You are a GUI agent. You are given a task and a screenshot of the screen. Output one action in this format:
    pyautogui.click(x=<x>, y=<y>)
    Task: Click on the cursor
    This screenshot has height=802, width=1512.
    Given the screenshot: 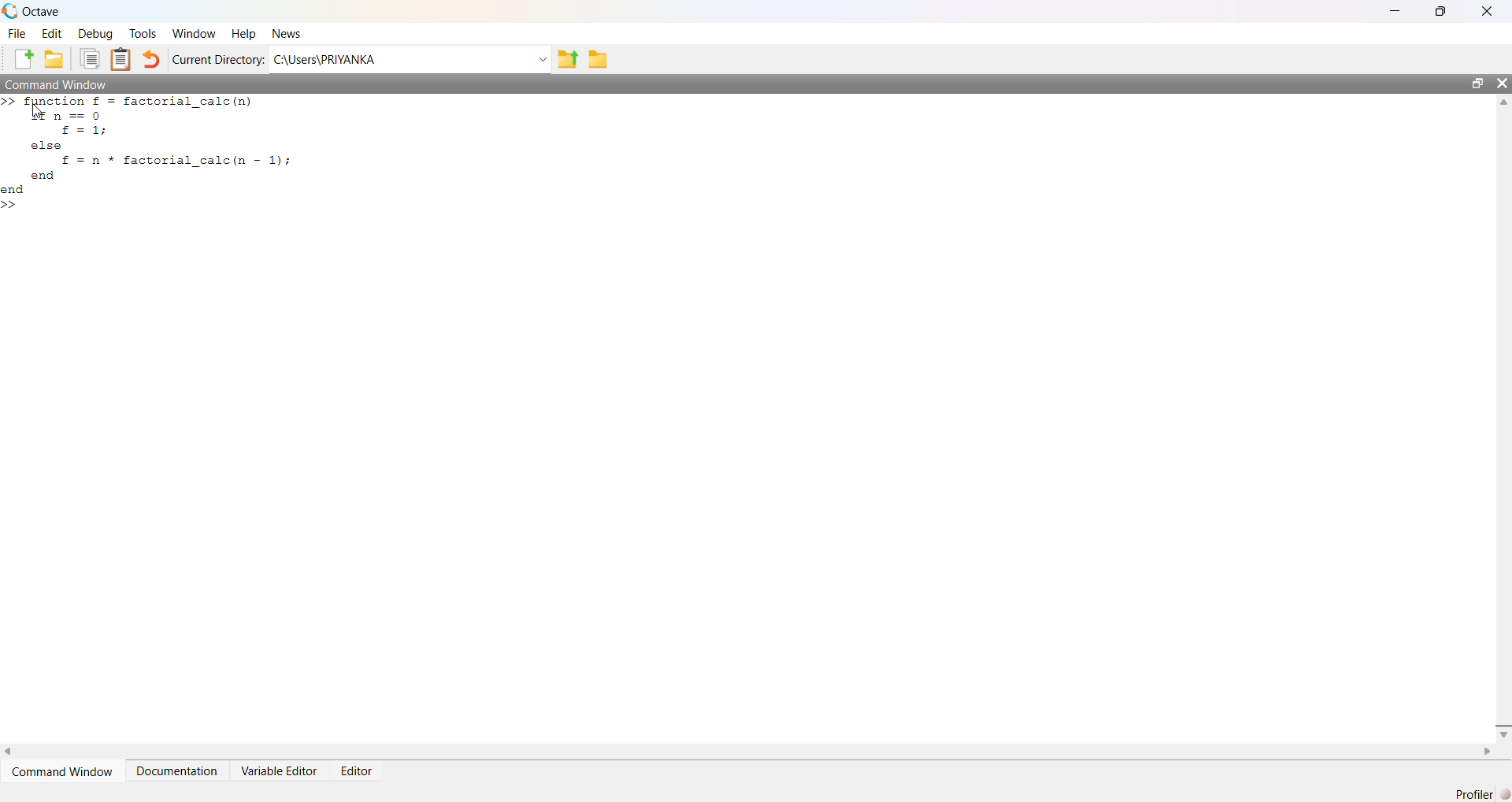 What is the action you would take?
    pyautogui.click(x=36, y=113)
    